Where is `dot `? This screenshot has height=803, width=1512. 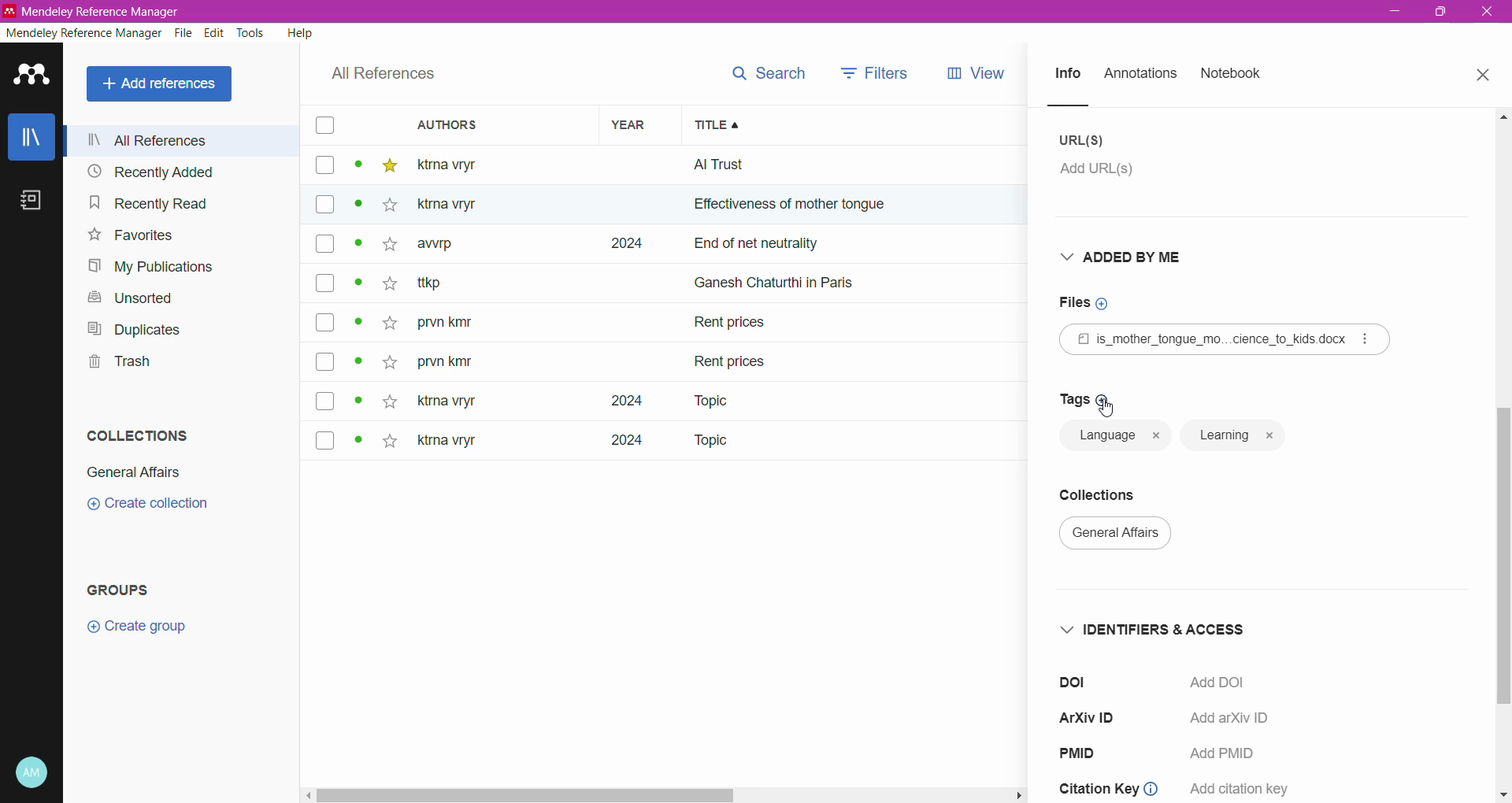
dot  is located at coordinates (360, 287).